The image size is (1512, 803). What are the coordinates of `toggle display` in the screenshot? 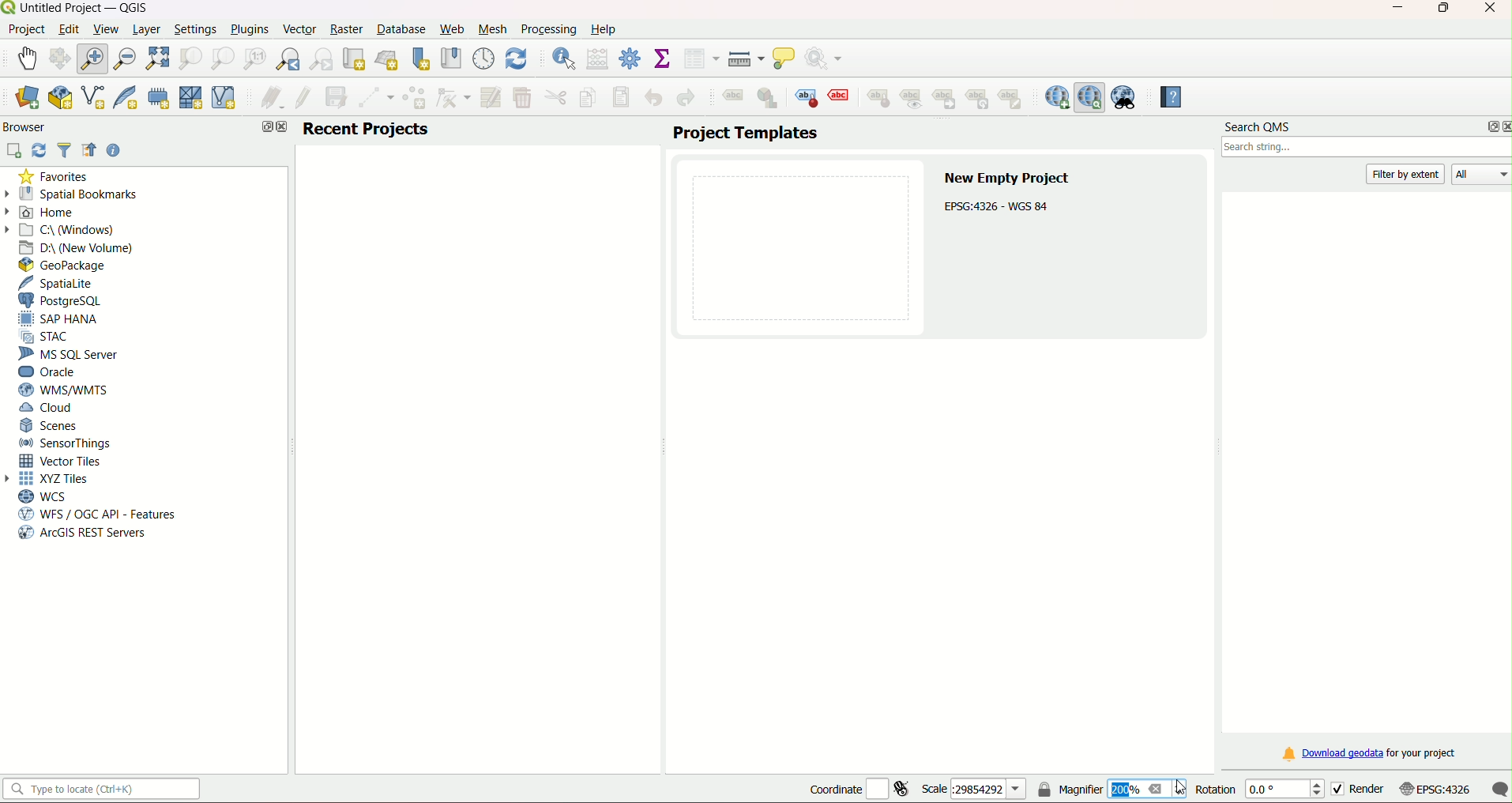 It's located at (841, 96).